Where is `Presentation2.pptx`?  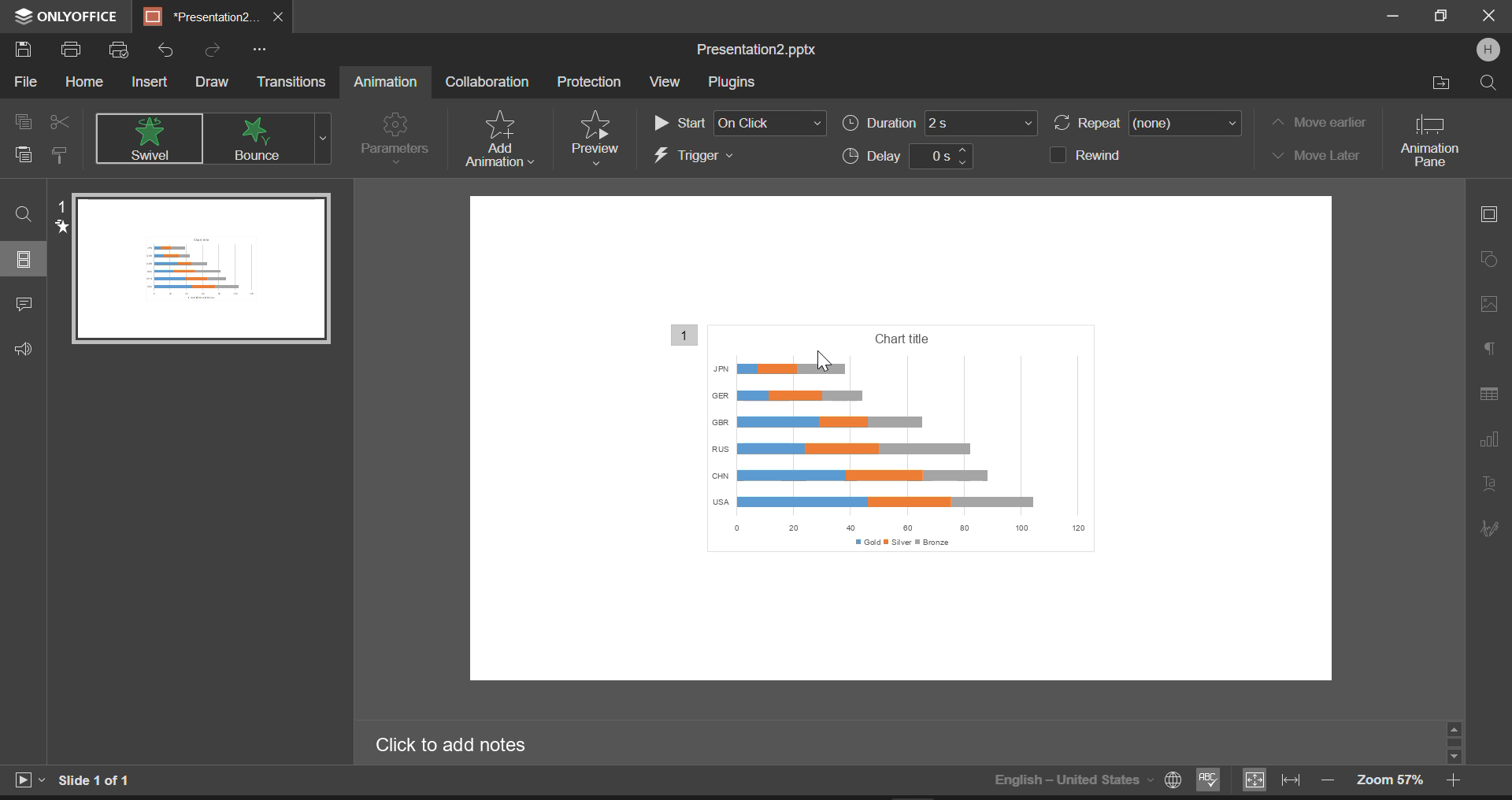
Presentation2.pptx is located at coordinates (762, 50).